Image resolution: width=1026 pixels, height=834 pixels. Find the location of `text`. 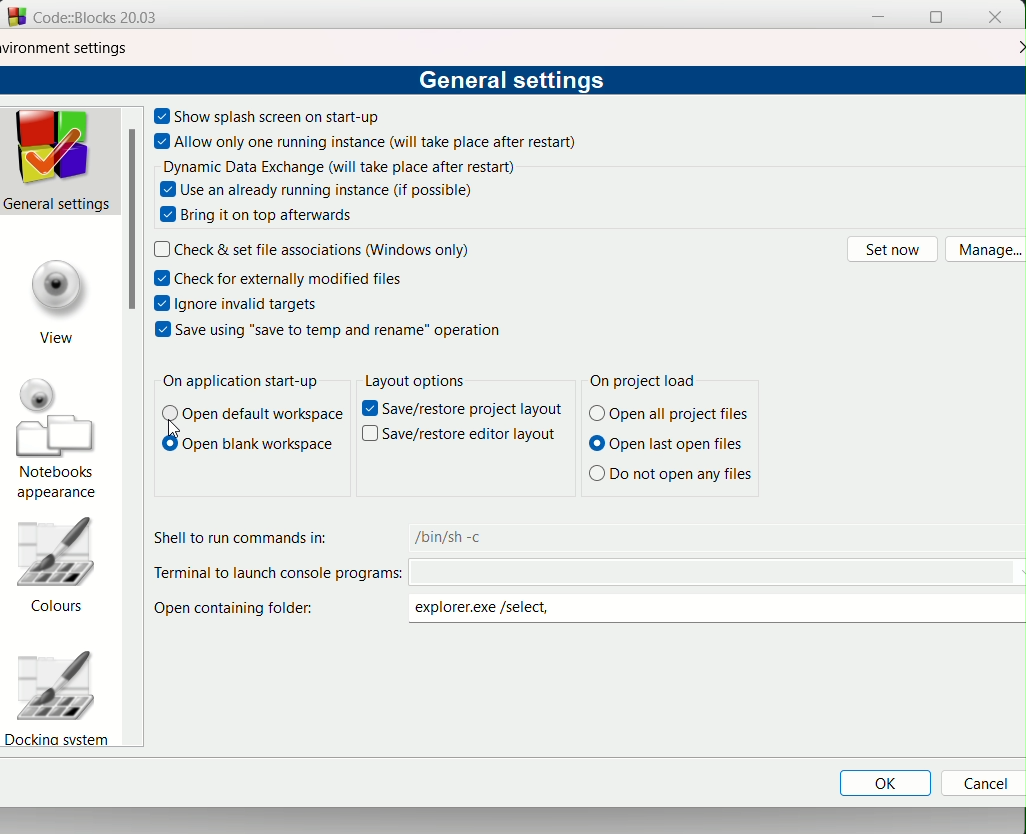

text is located at coordinates (325, 250).